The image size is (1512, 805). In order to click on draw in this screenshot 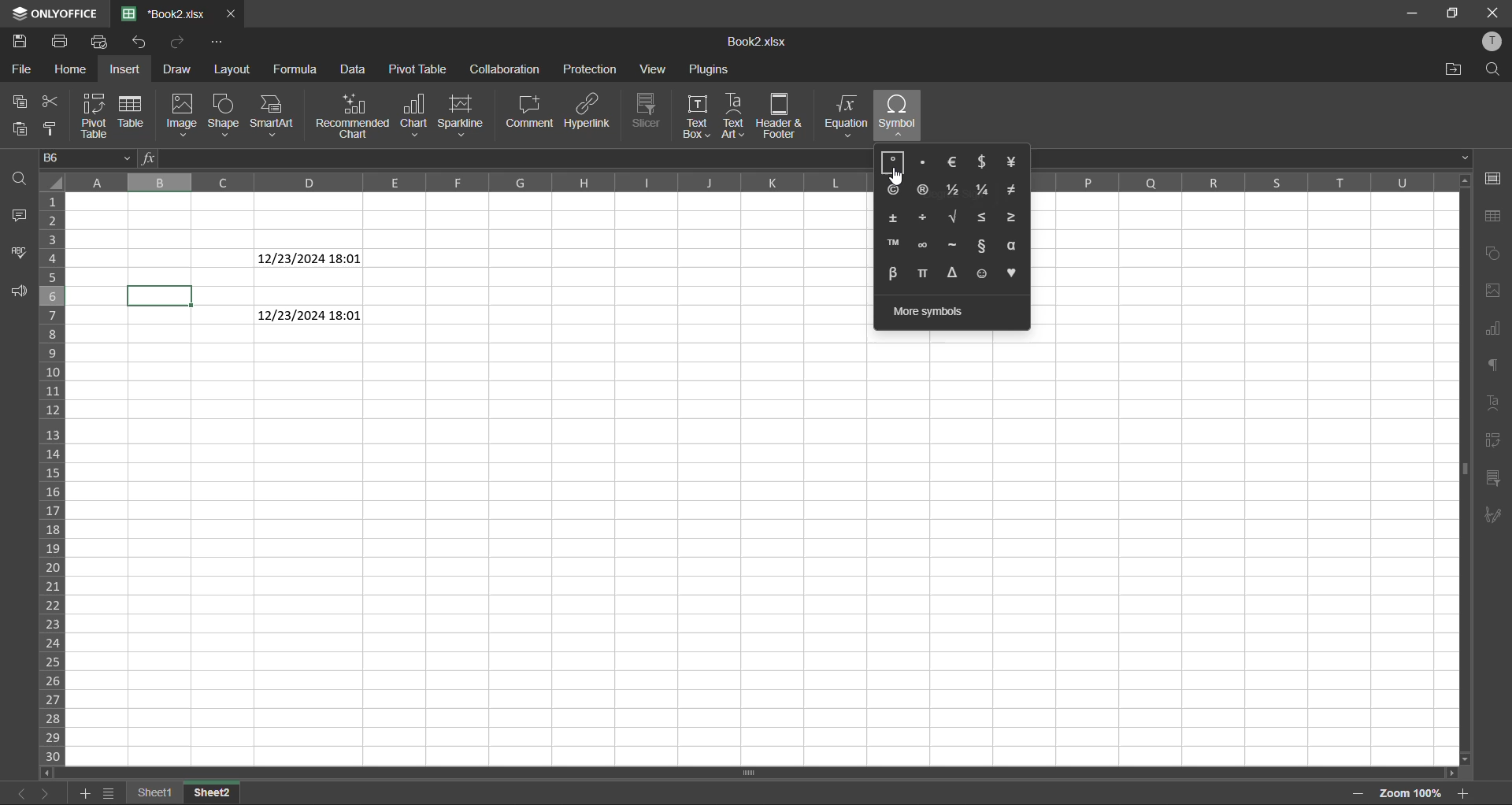, I will do `click(176, 69)`.